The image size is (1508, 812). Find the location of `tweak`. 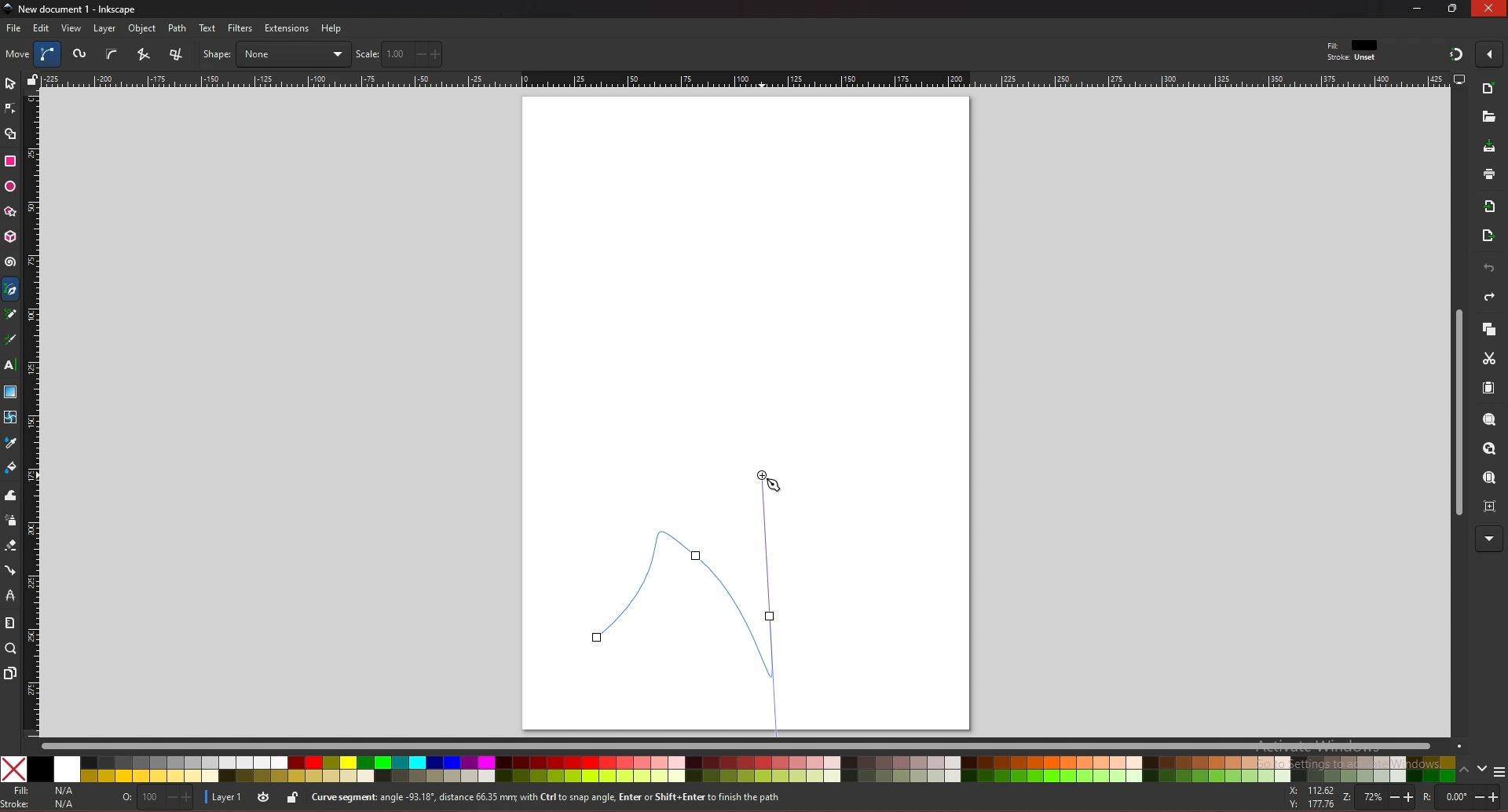

tweak is located at coordinates (11, 495).